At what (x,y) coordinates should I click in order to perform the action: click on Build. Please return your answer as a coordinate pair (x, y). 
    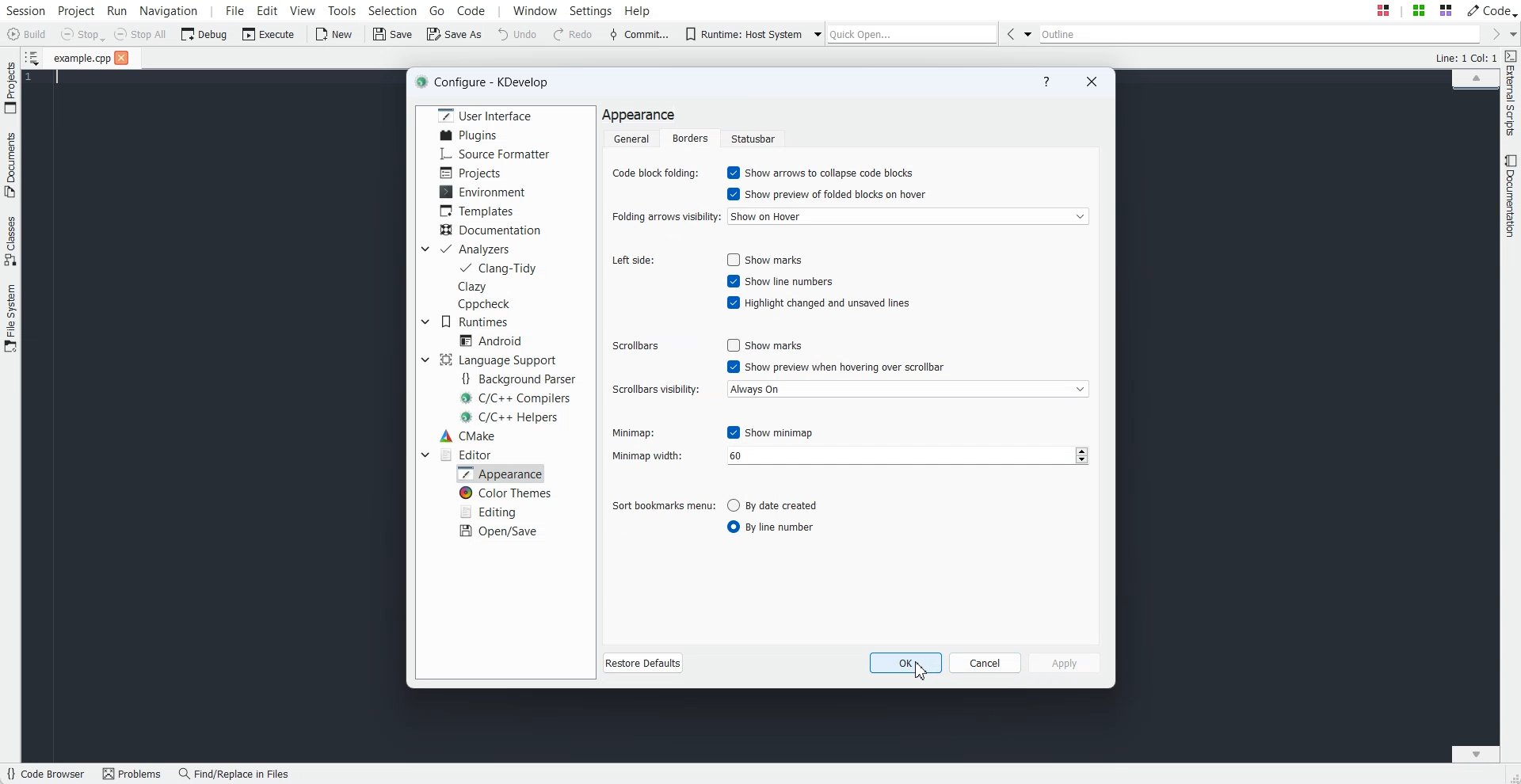
    Looking at the image, I should click on (25, 33).